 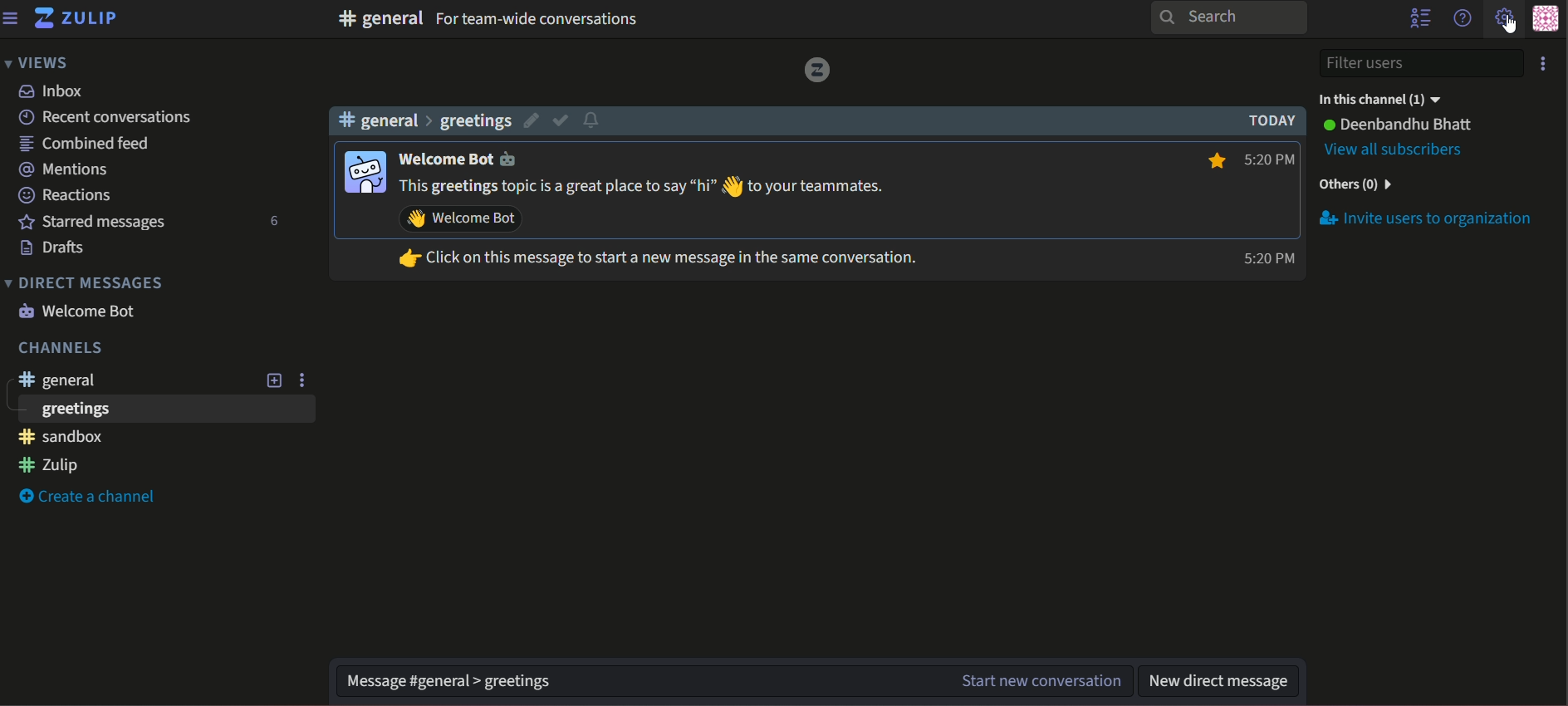 What do you see at coordinates (37, 61) in the screenshot?
I see `views` at bounding box center [37, 61].